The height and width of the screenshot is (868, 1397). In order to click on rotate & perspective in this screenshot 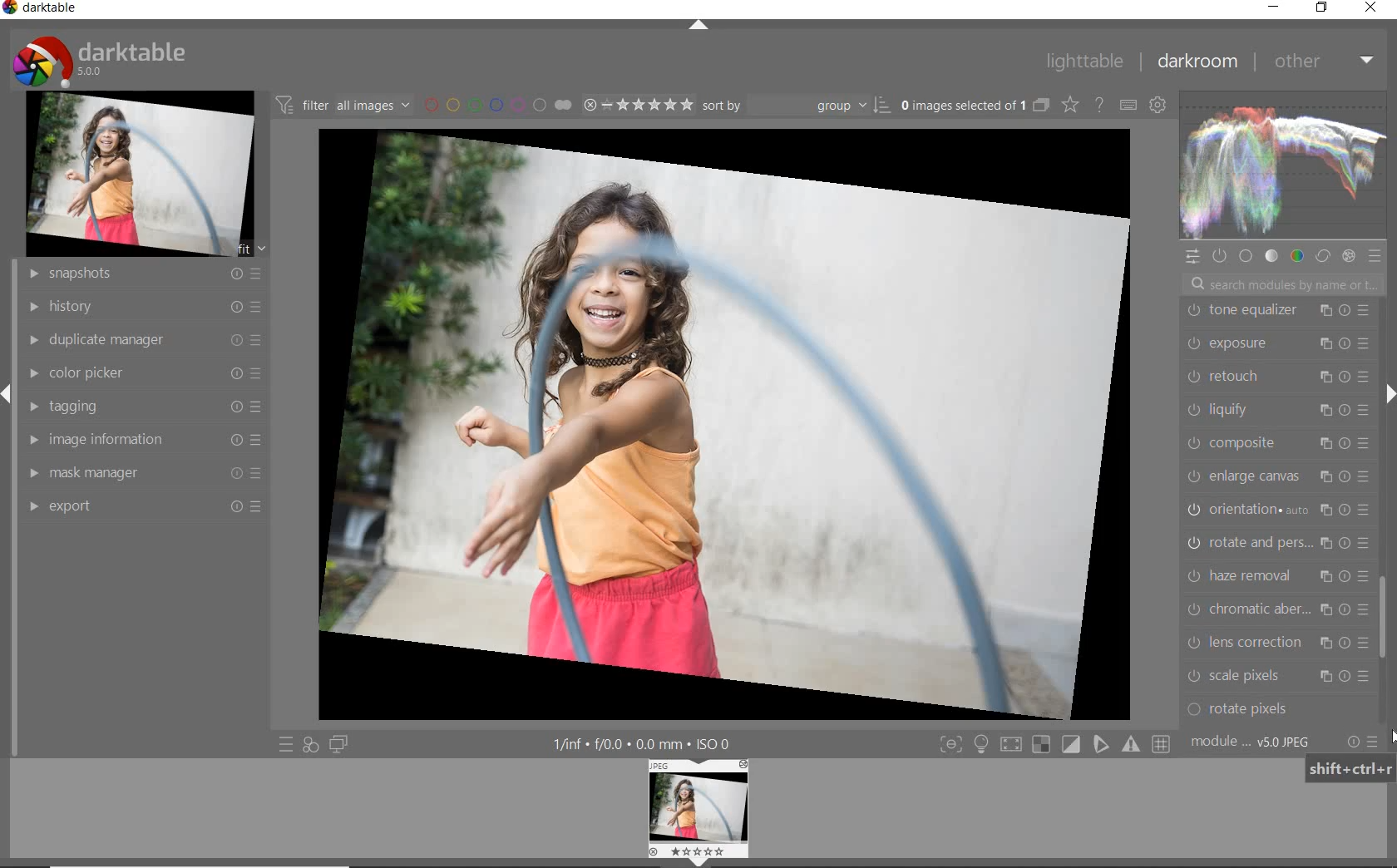, I will do `click(1277, 541)`.